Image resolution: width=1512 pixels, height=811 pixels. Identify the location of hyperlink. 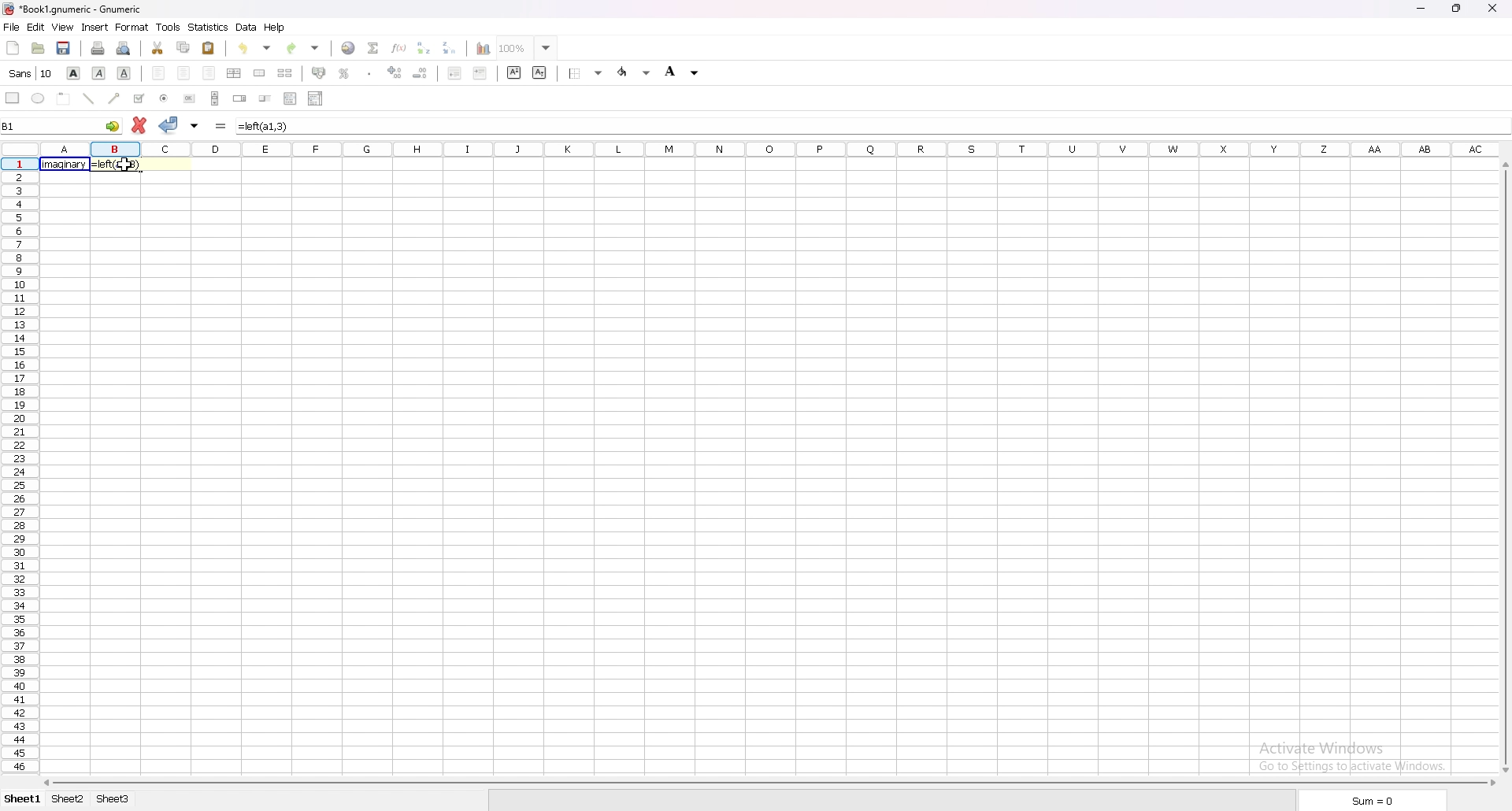
(349, 48).